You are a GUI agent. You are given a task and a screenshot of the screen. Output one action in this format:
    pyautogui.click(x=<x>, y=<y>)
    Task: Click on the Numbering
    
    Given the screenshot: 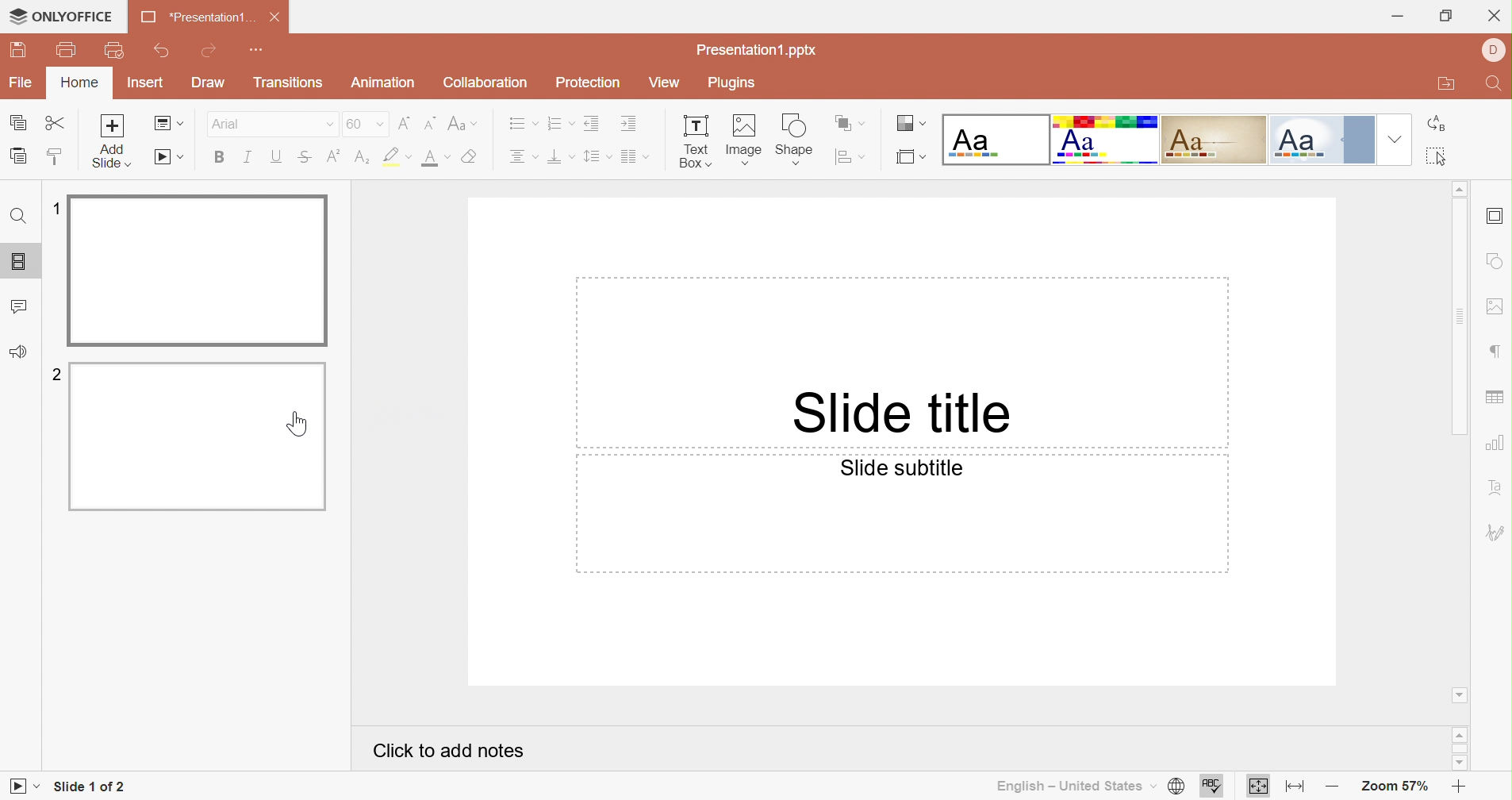 What is the action you would take?
    pyautogui.click(x=560, y=125)
    